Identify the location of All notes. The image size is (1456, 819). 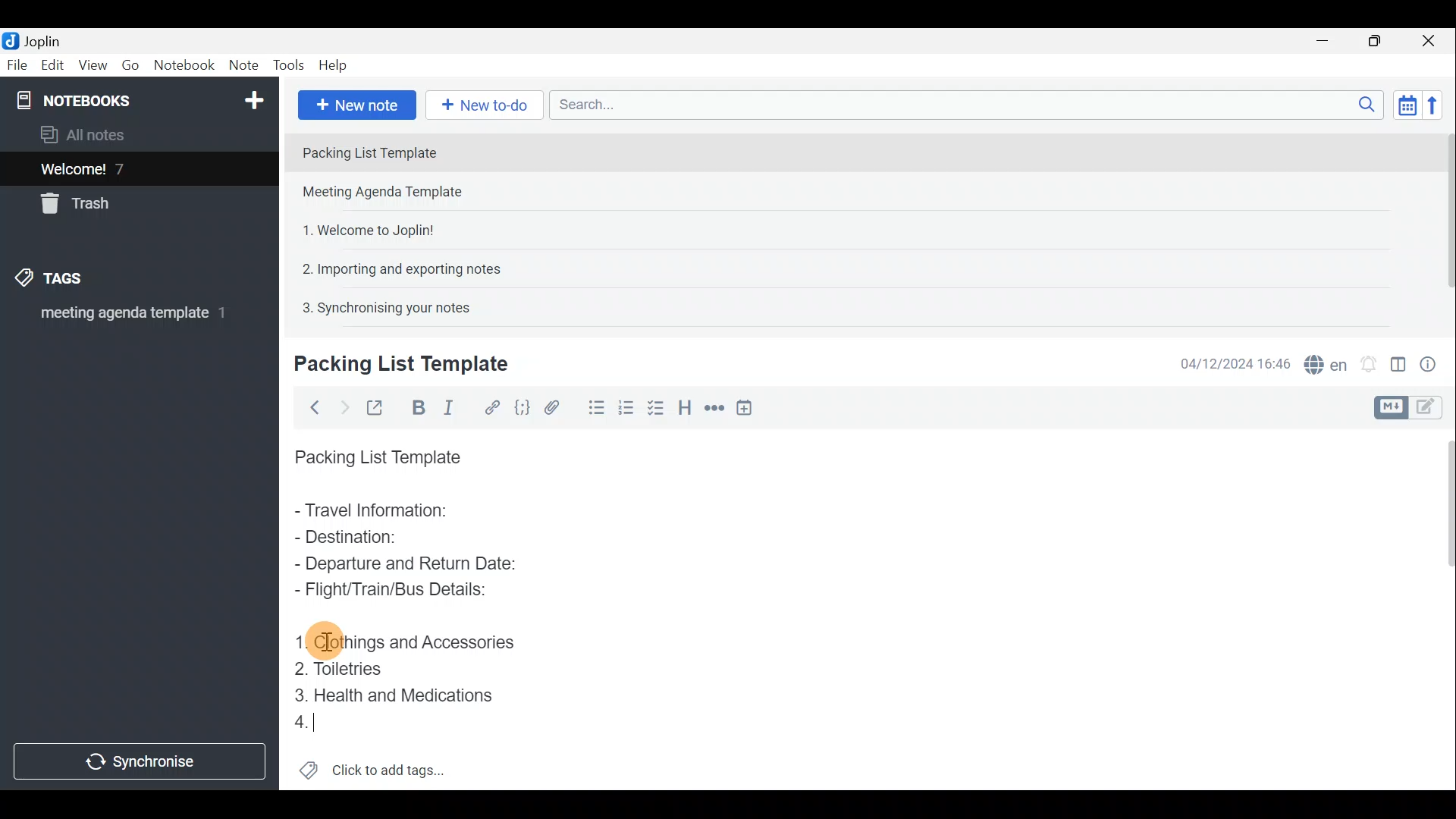
(88, 134).